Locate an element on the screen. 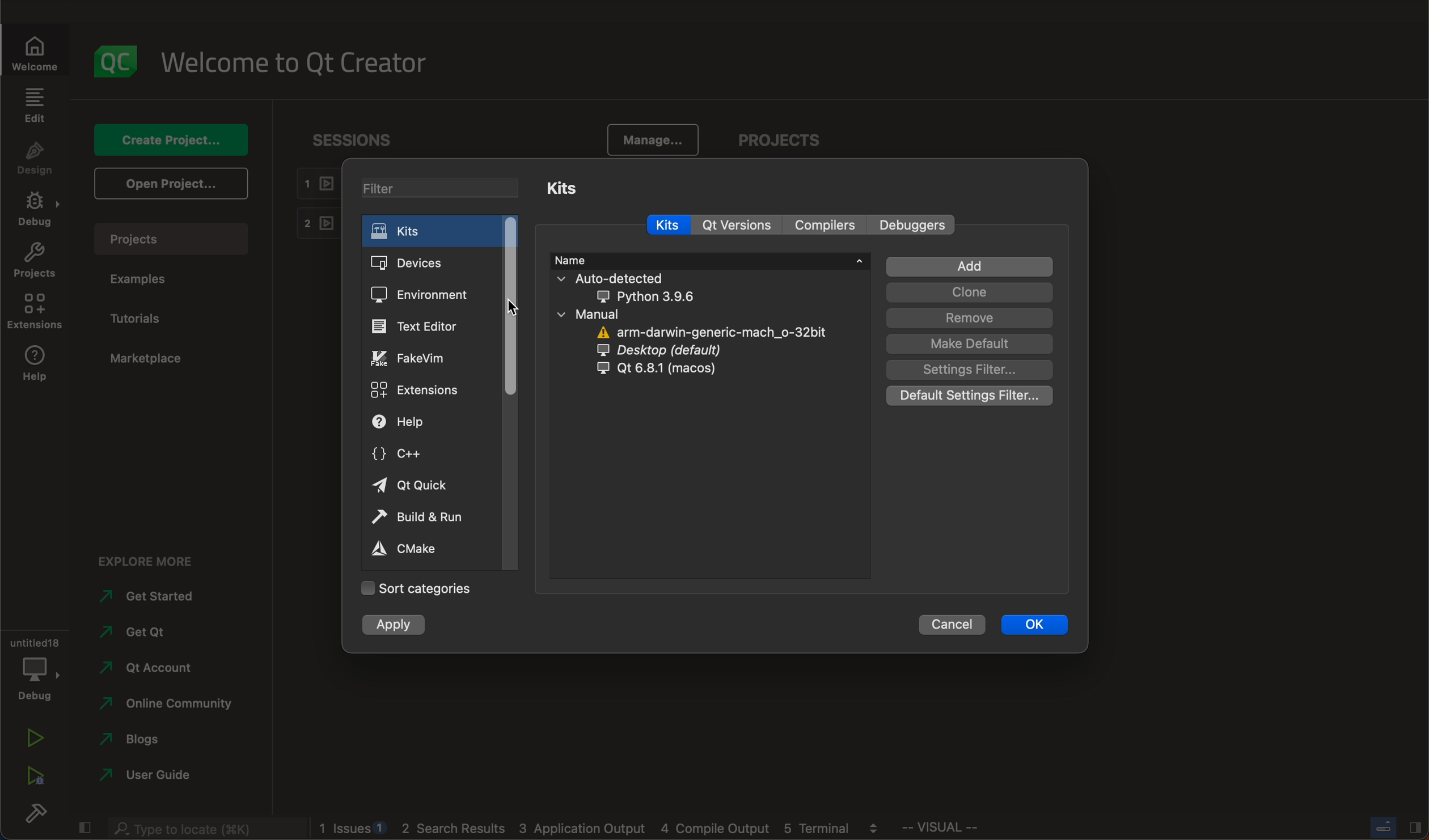 The width and height of the screenshot is (1429, 840). apply is located at coordinates (394, 626).